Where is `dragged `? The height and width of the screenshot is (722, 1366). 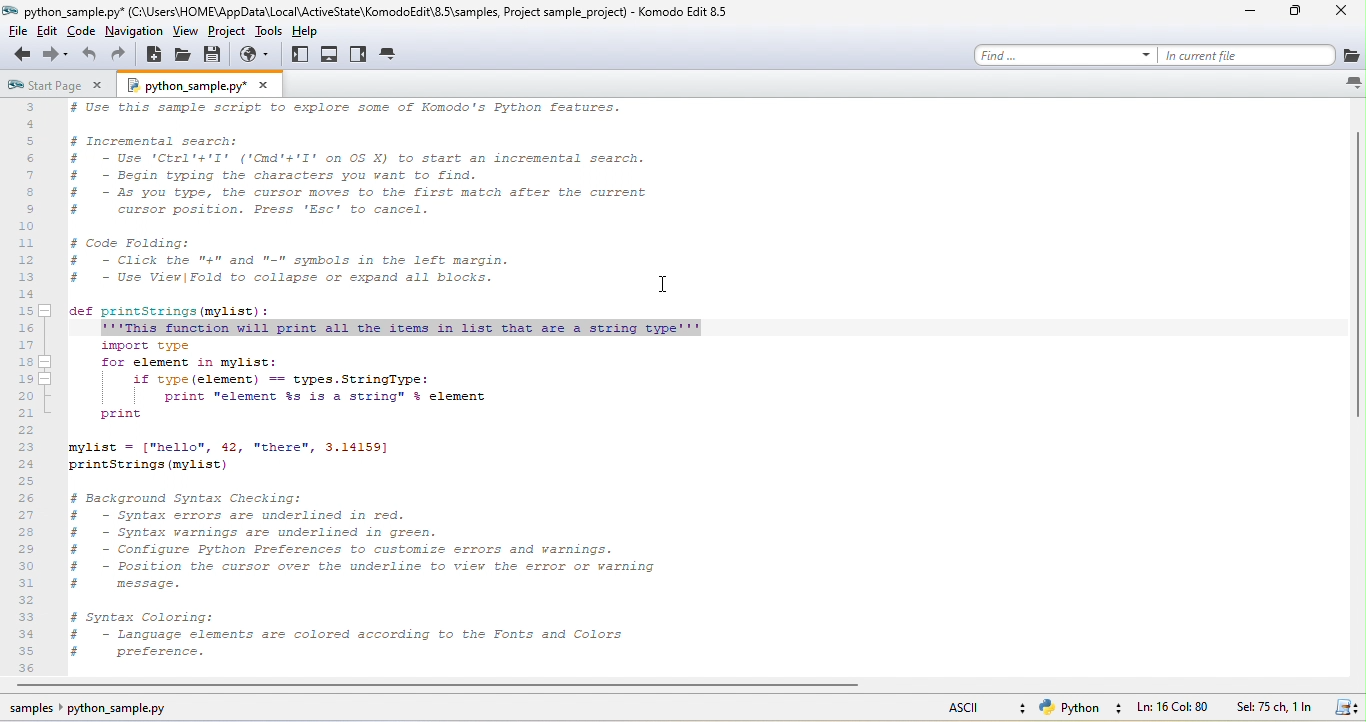
dragged  is located at coordinates (402, 328).